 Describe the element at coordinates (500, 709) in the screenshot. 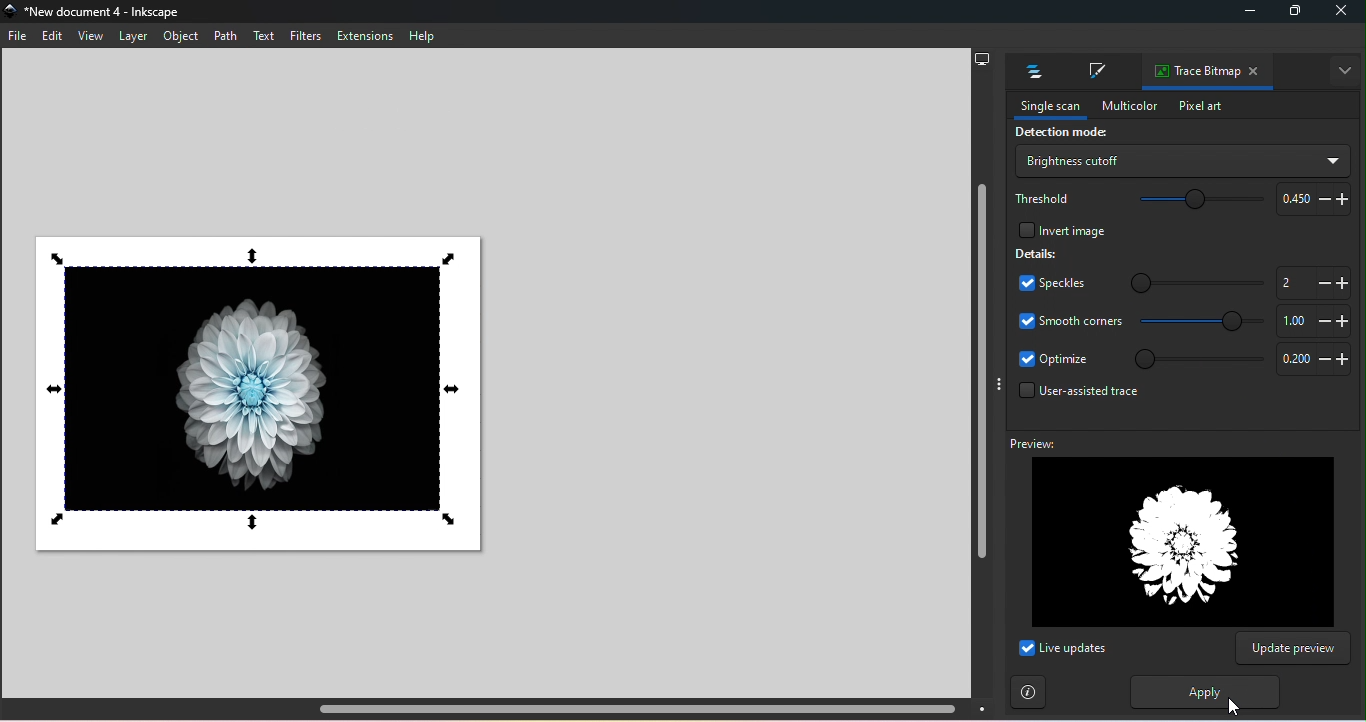

I see `Horizontal scroll bar` at that location.